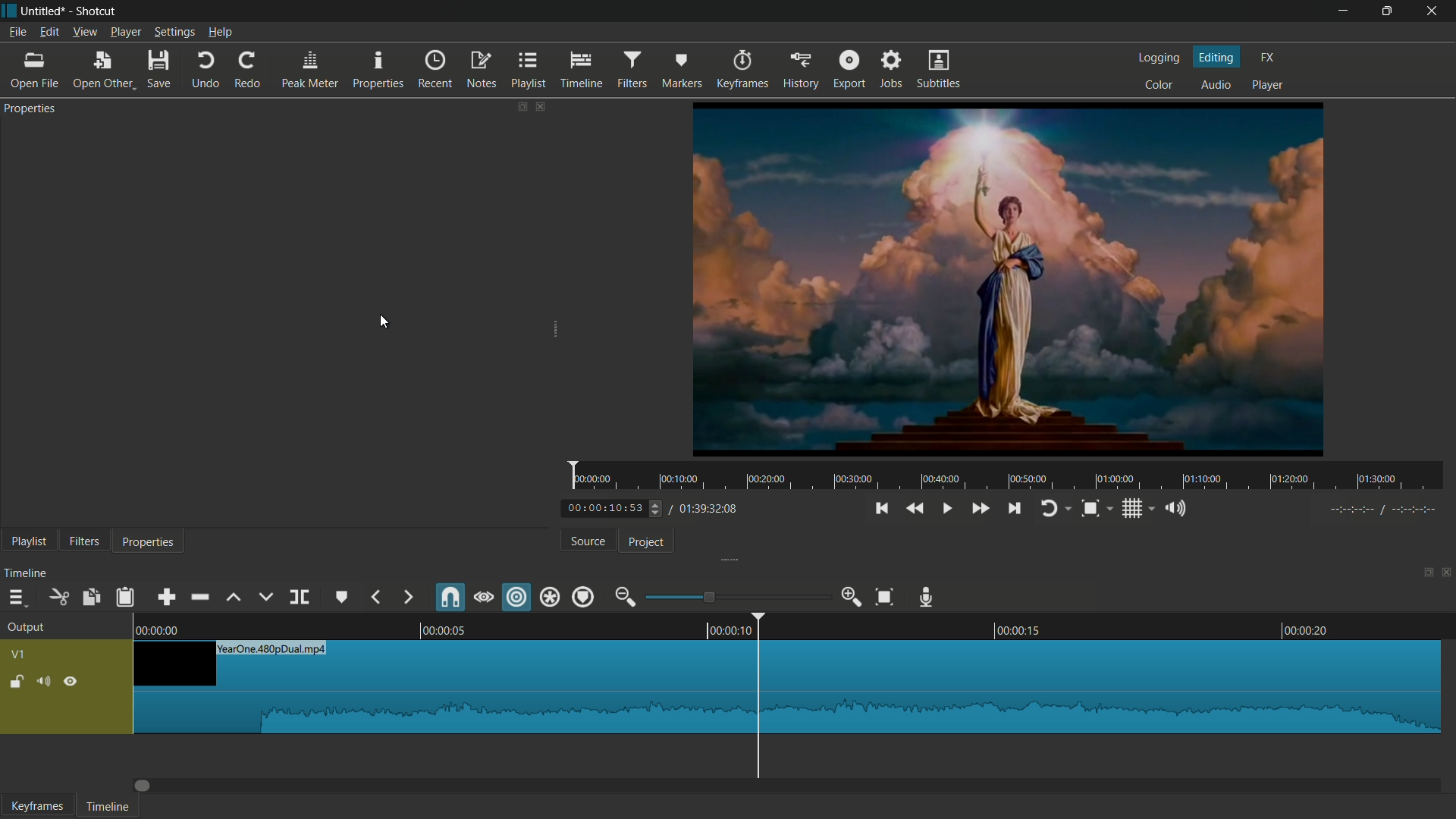 This screenshot has width=1456, height=819. I want to click on toggle zoom, so click(1101, 508).